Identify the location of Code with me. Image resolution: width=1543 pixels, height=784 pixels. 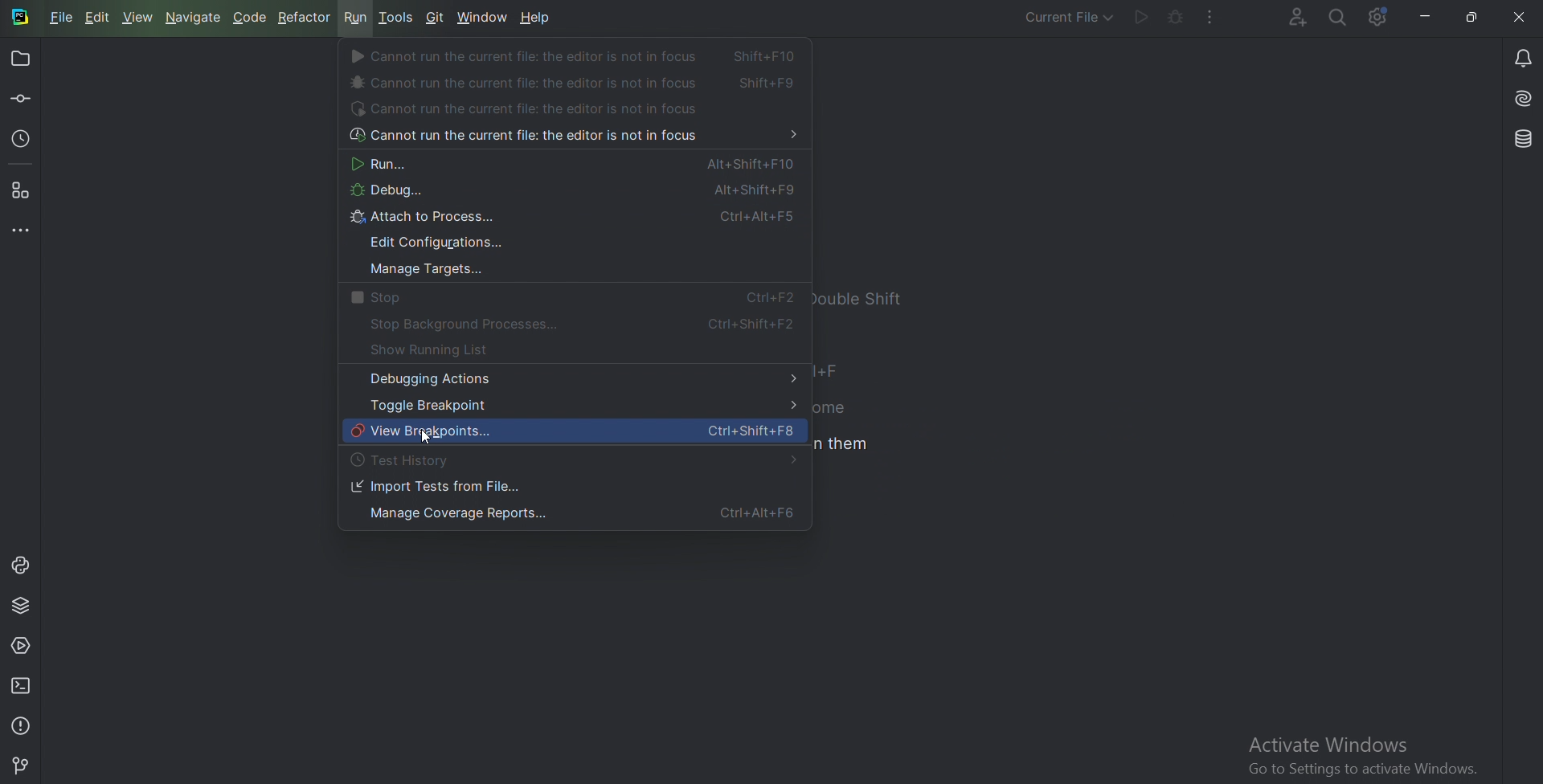
(1296, 18).